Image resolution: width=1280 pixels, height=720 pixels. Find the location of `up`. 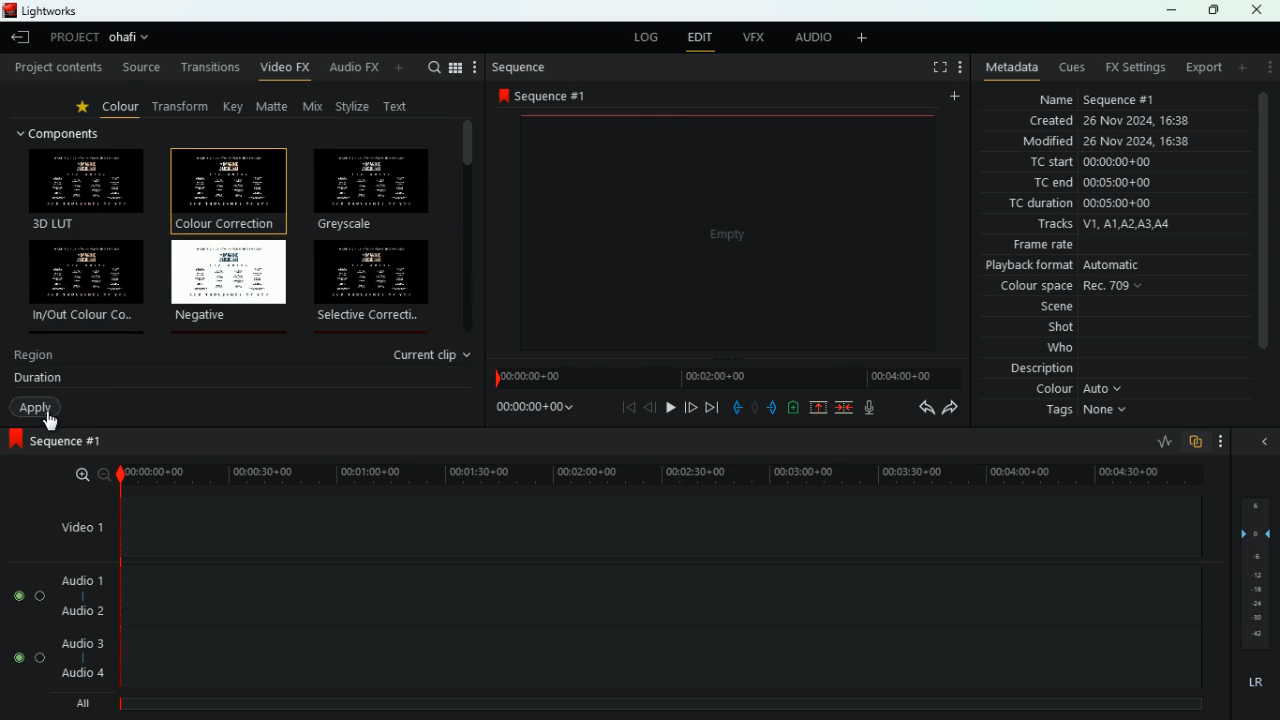

up is located at coordinates (814, 409).